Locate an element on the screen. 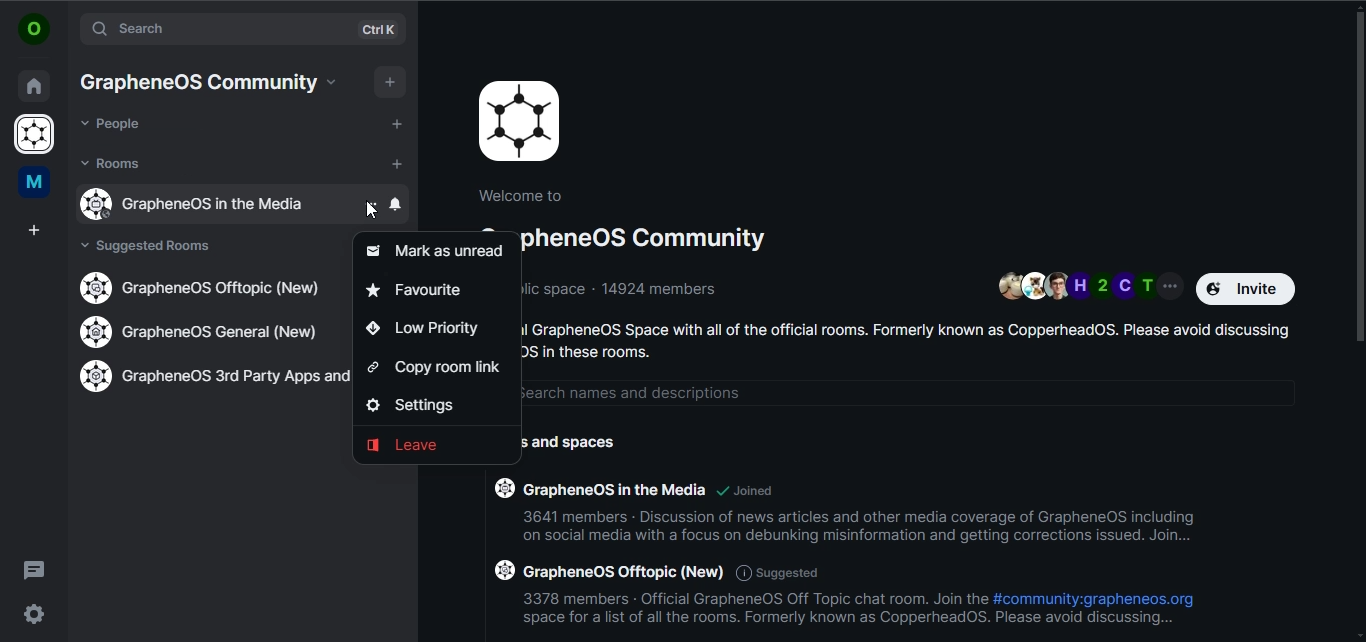  icon is located at coordinates (520, 121).